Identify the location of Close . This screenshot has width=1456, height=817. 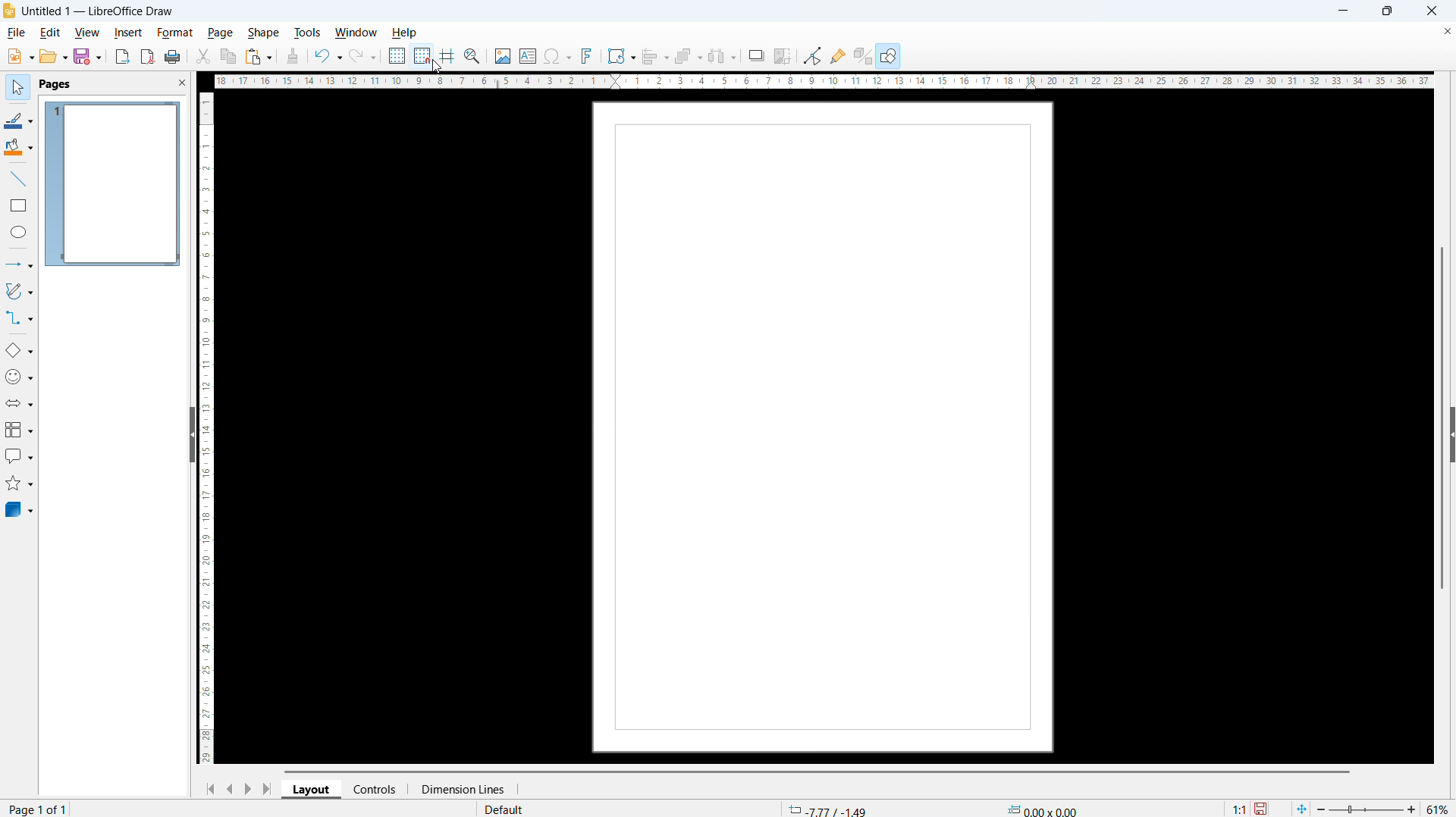
(1430, 11).